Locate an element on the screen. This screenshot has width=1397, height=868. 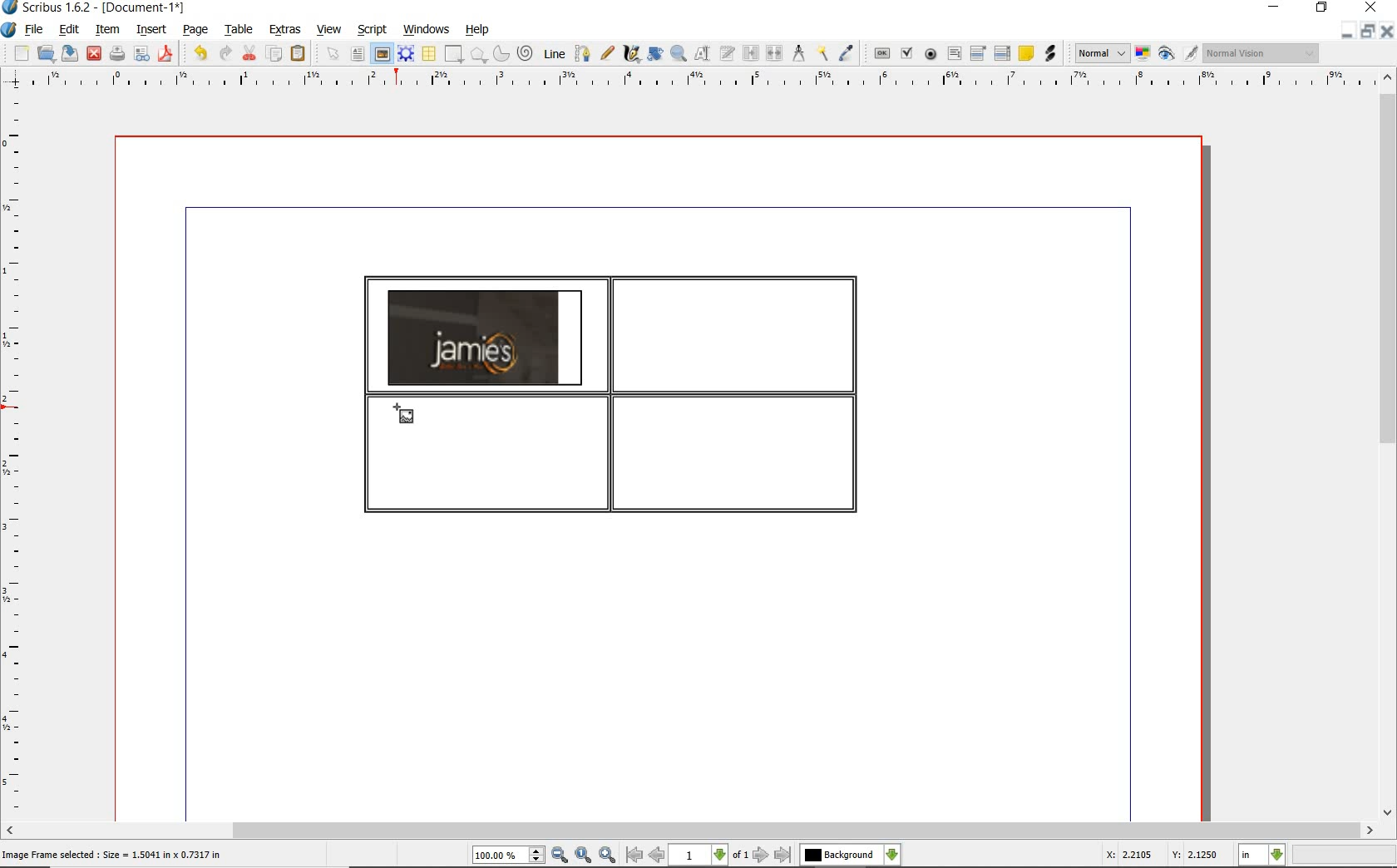
freehand line is located at coordinates (609, 54).